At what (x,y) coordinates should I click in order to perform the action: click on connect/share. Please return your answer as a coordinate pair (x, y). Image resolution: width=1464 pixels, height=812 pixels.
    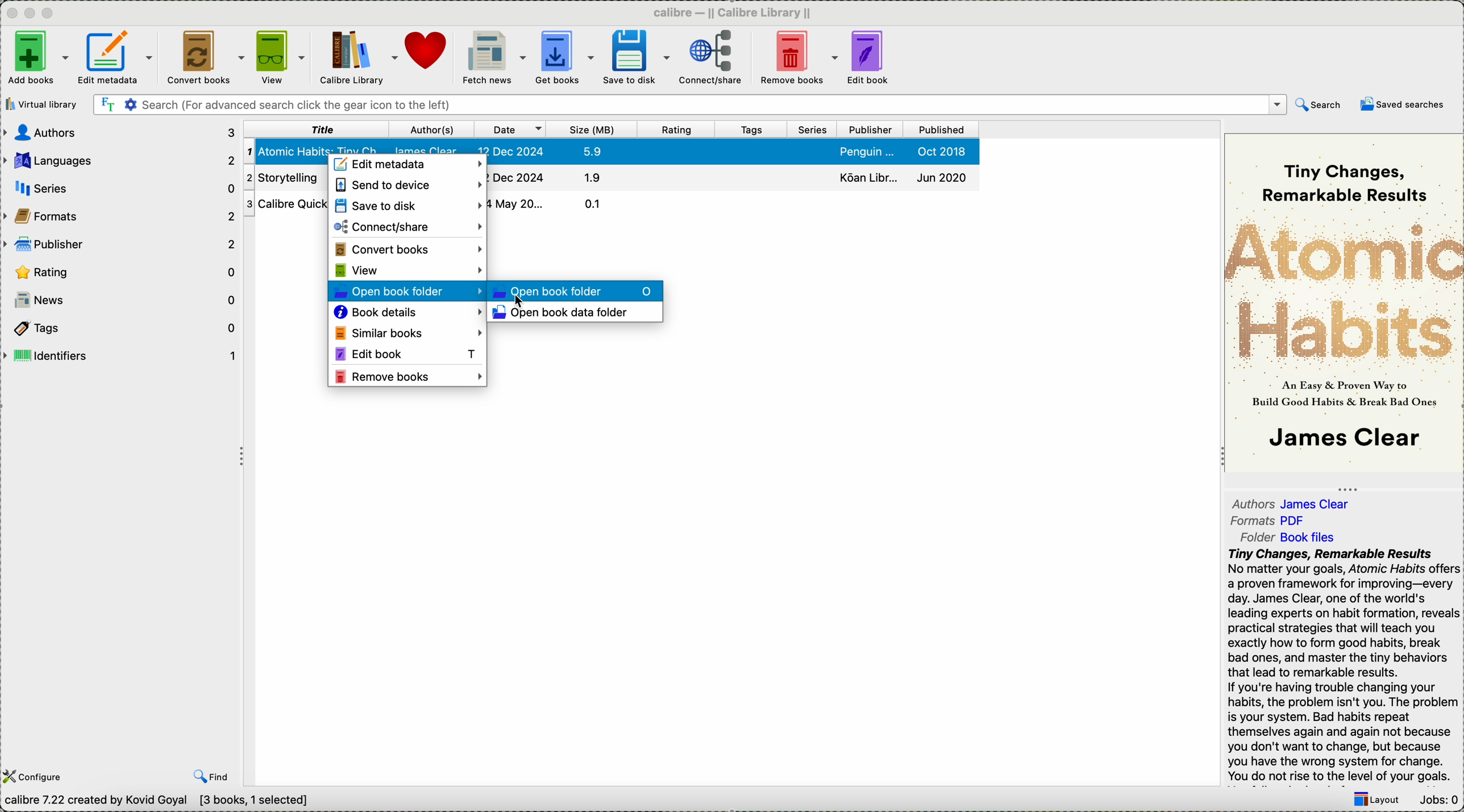
    Looking at the image, I should click on (407, 227).